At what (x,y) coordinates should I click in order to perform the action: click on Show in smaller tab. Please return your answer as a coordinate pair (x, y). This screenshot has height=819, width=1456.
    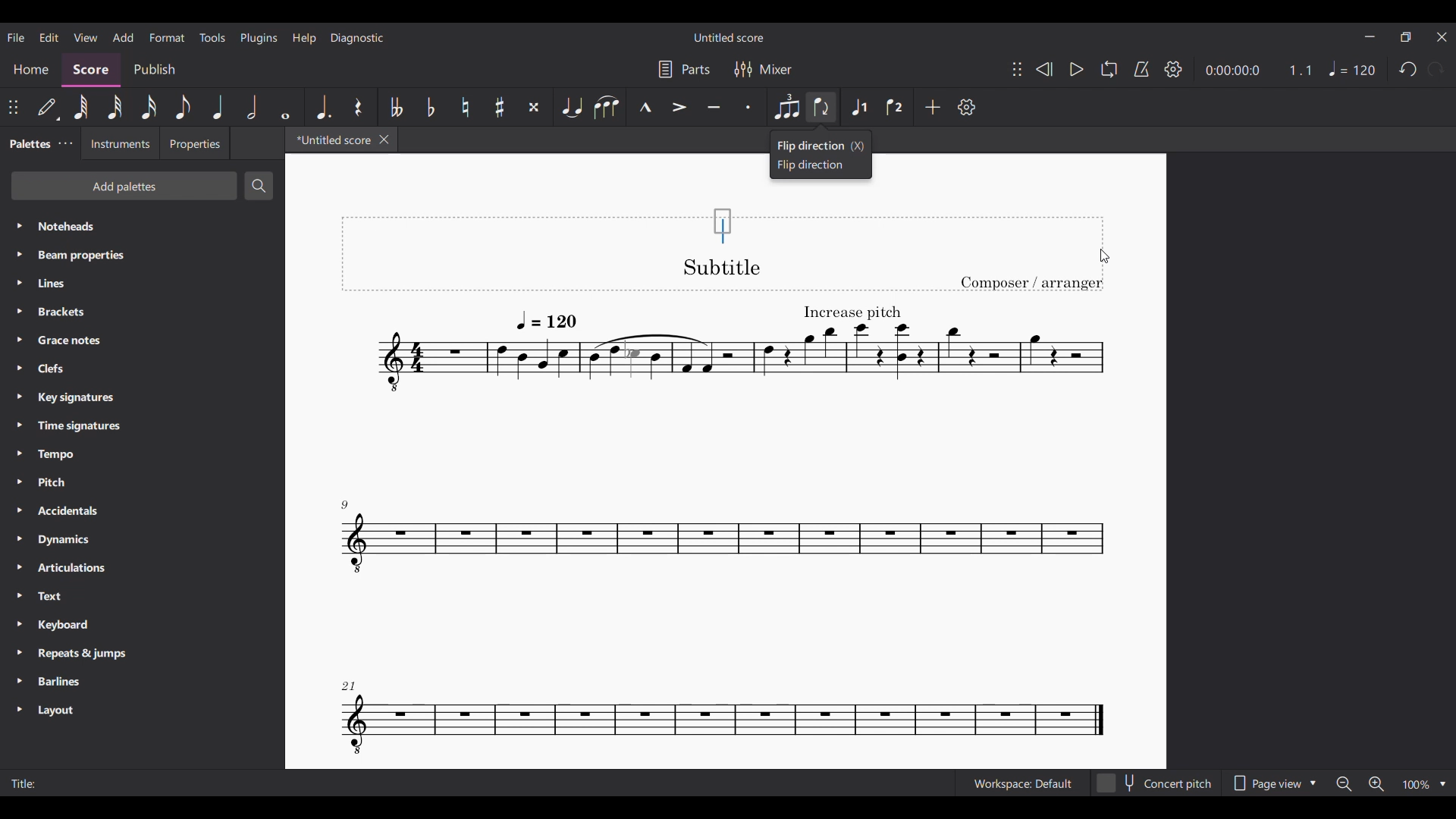
    Looking at the image, I should click on (1406, 37).